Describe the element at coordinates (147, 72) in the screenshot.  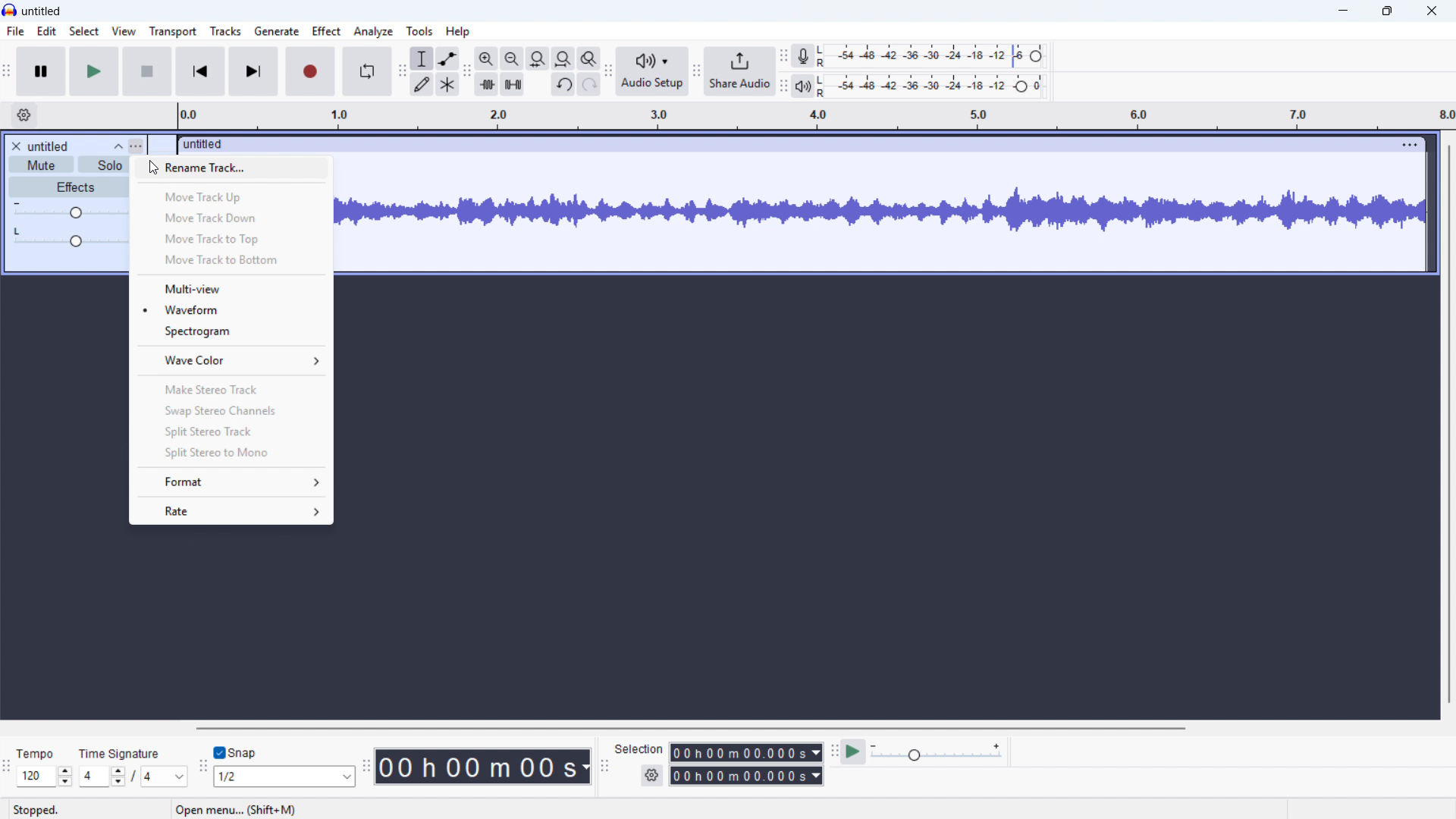
I see `stop ` at that location.